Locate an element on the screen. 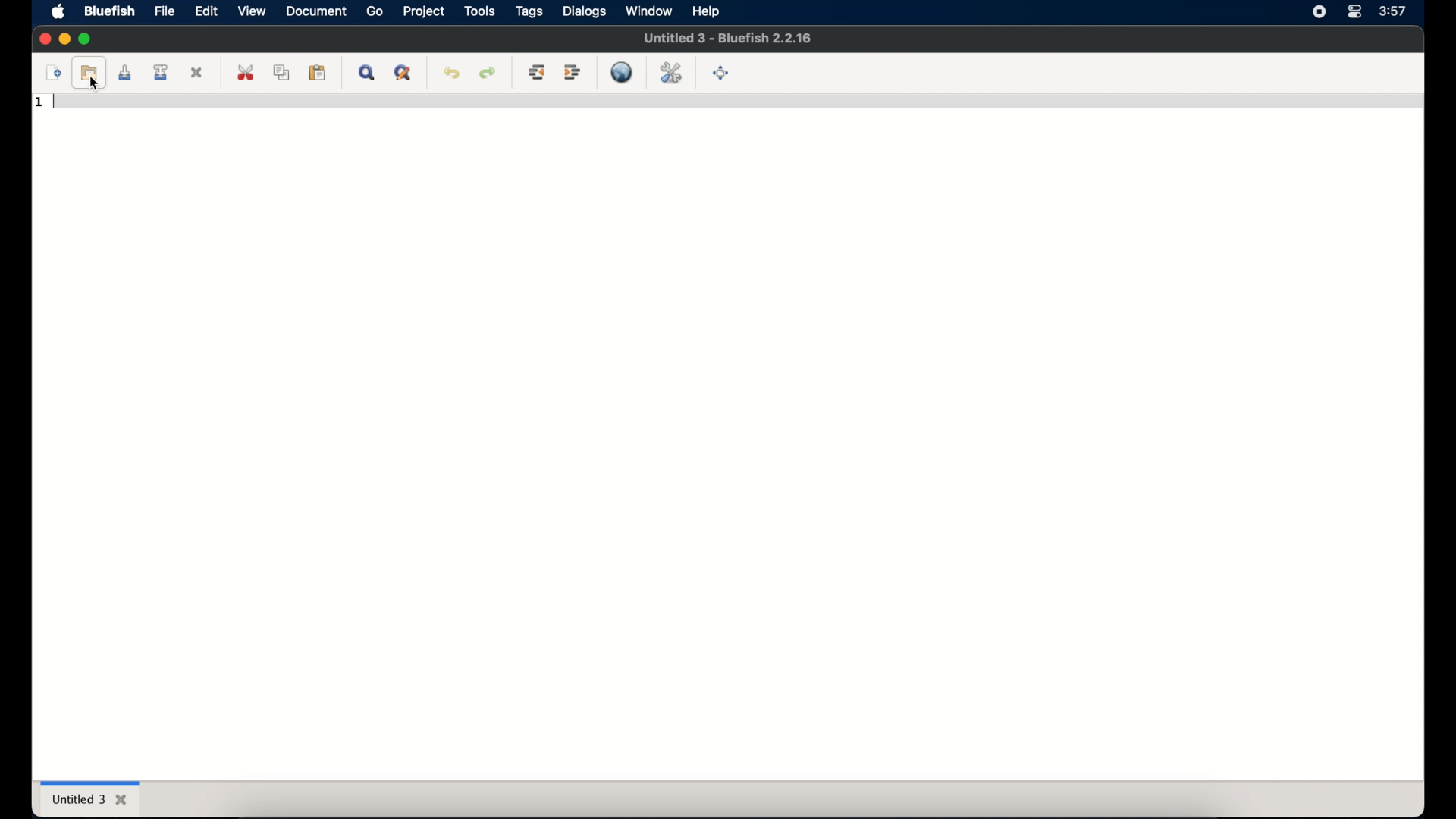 This screenshot has height=819, width=1456. full screen is located at coordinates (722, 74).